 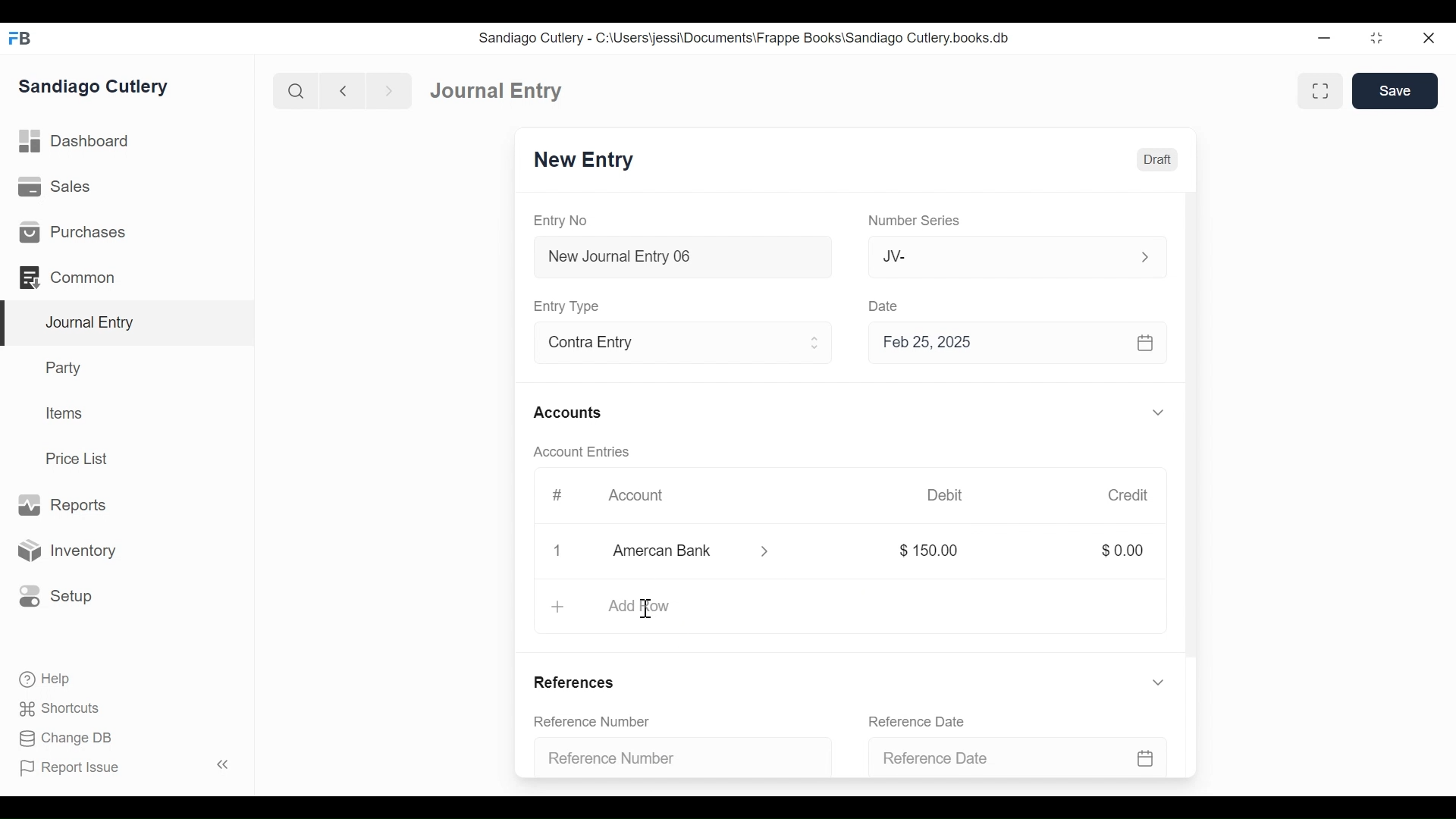 What do you see at coordinates (584, 160) in the screenshot?
I see `New Entry` at bounding box center [584, 160].